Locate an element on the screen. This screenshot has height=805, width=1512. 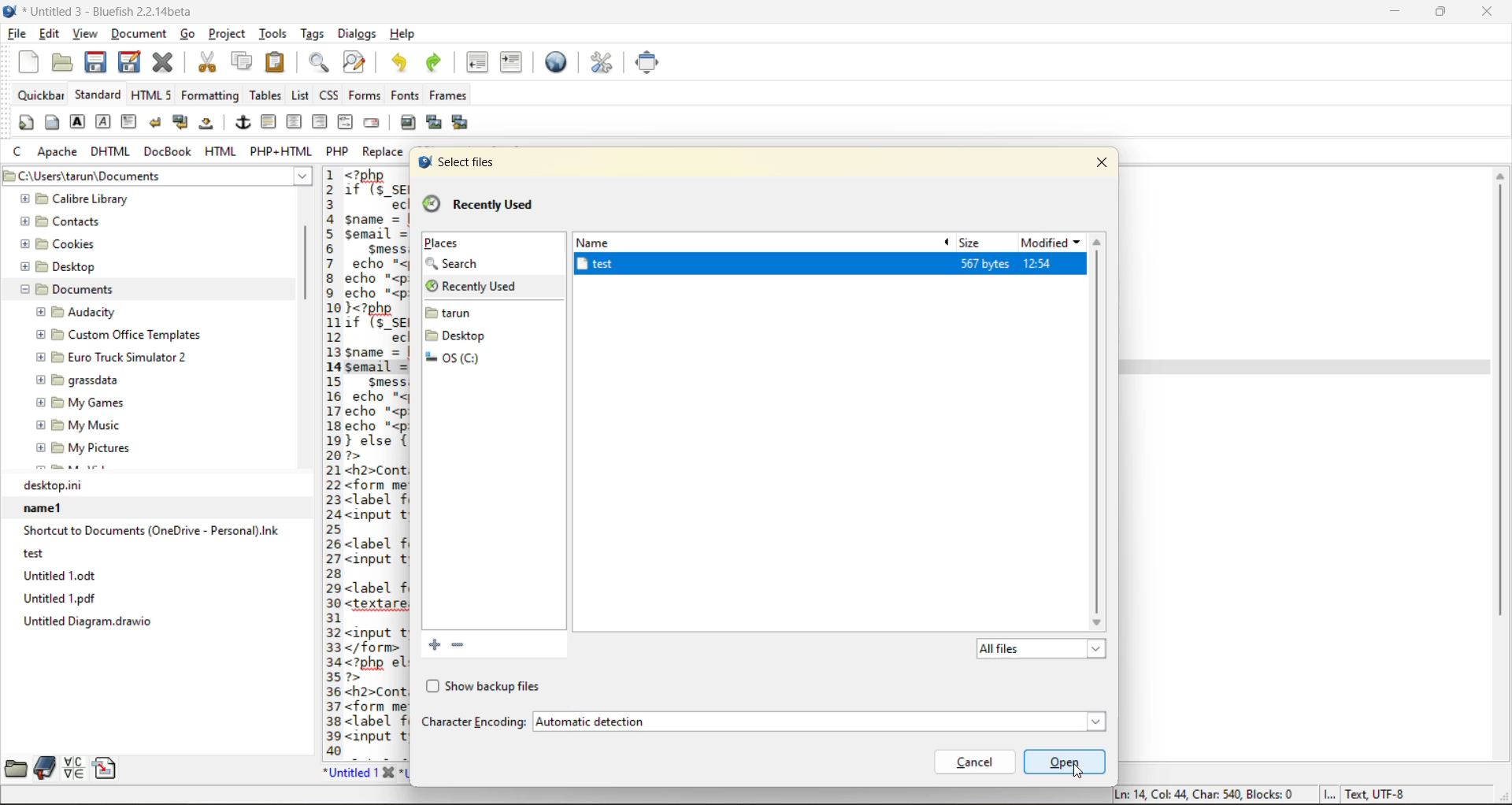
remove the selected bookmark is located at coordinates (463, 646).